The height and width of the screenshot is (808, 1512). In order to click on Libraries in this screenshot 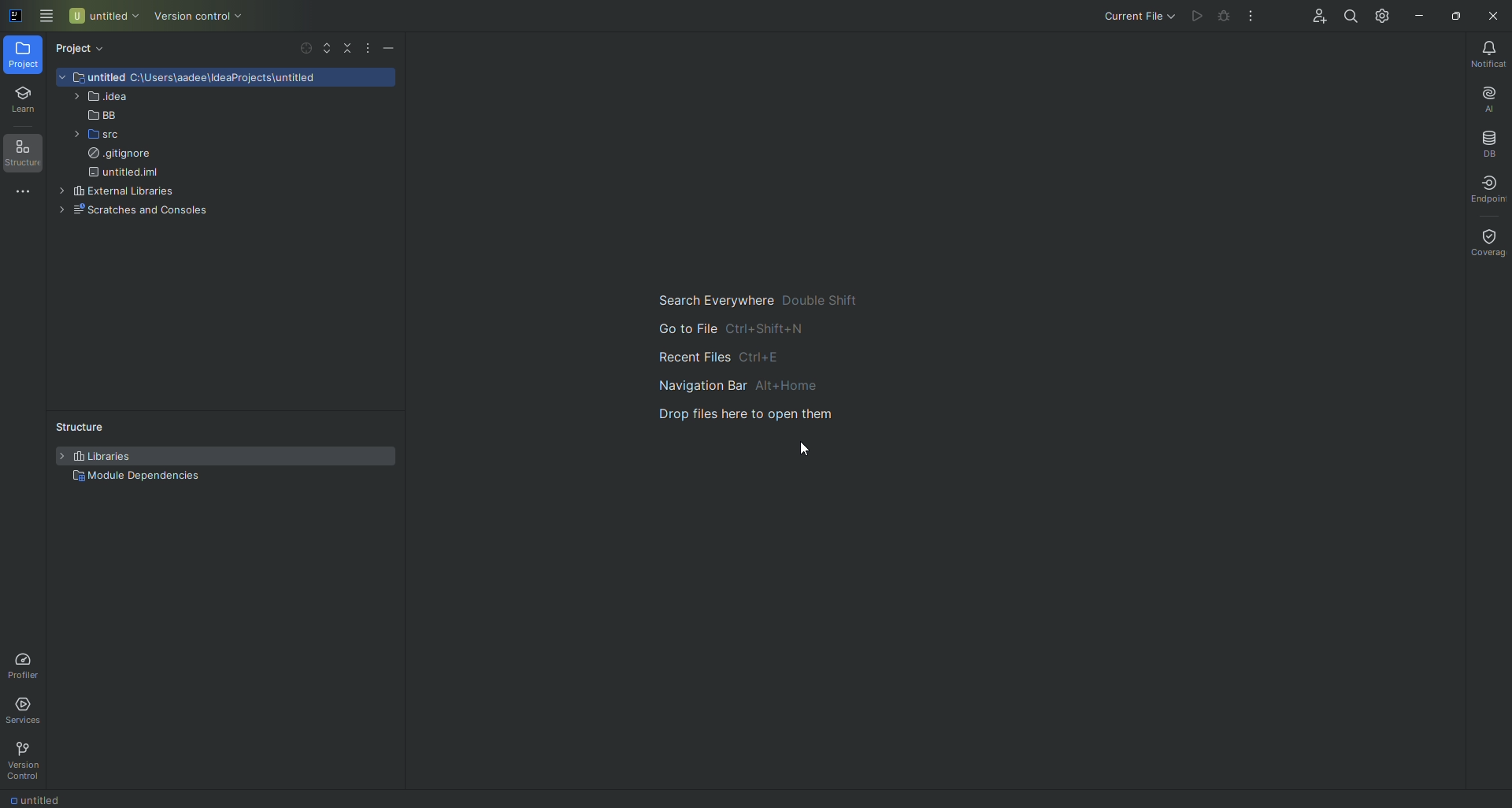, I will do `click(102, 457)`.